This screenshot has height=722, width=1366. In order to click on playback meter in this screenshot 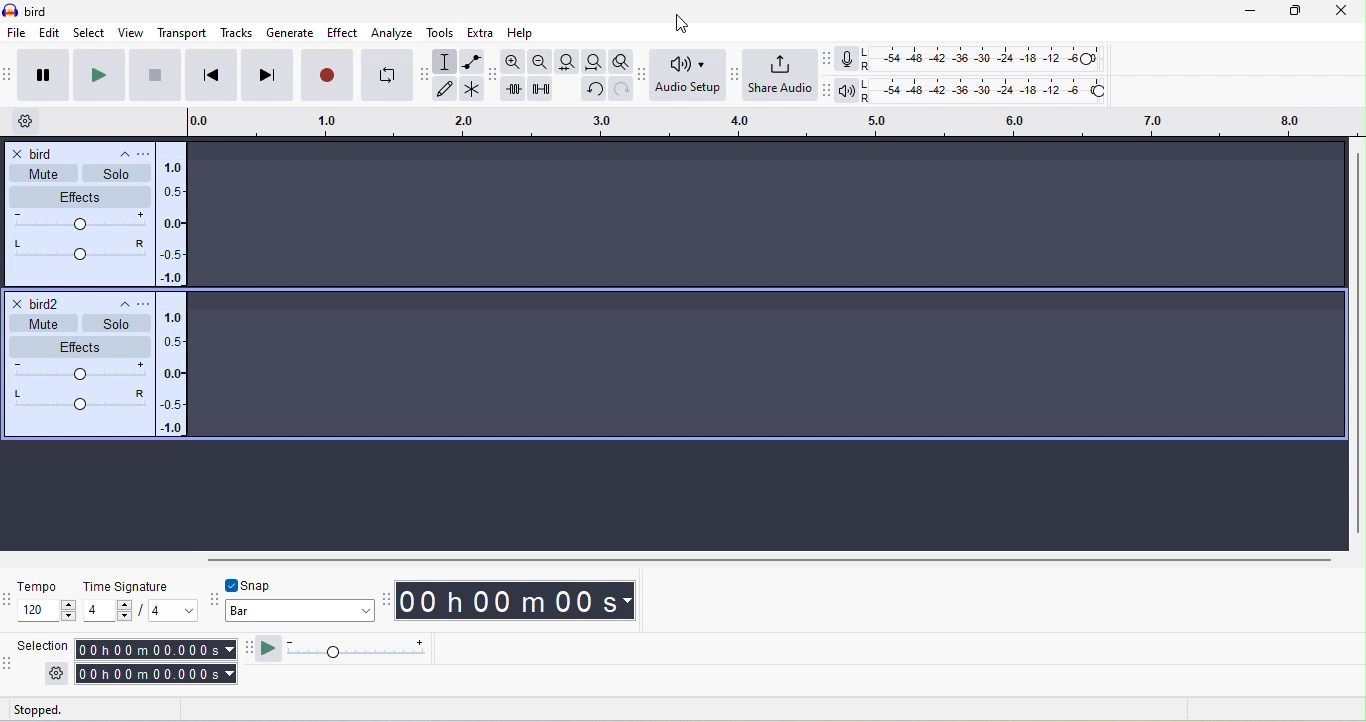, I will do `click(850, 93)`.